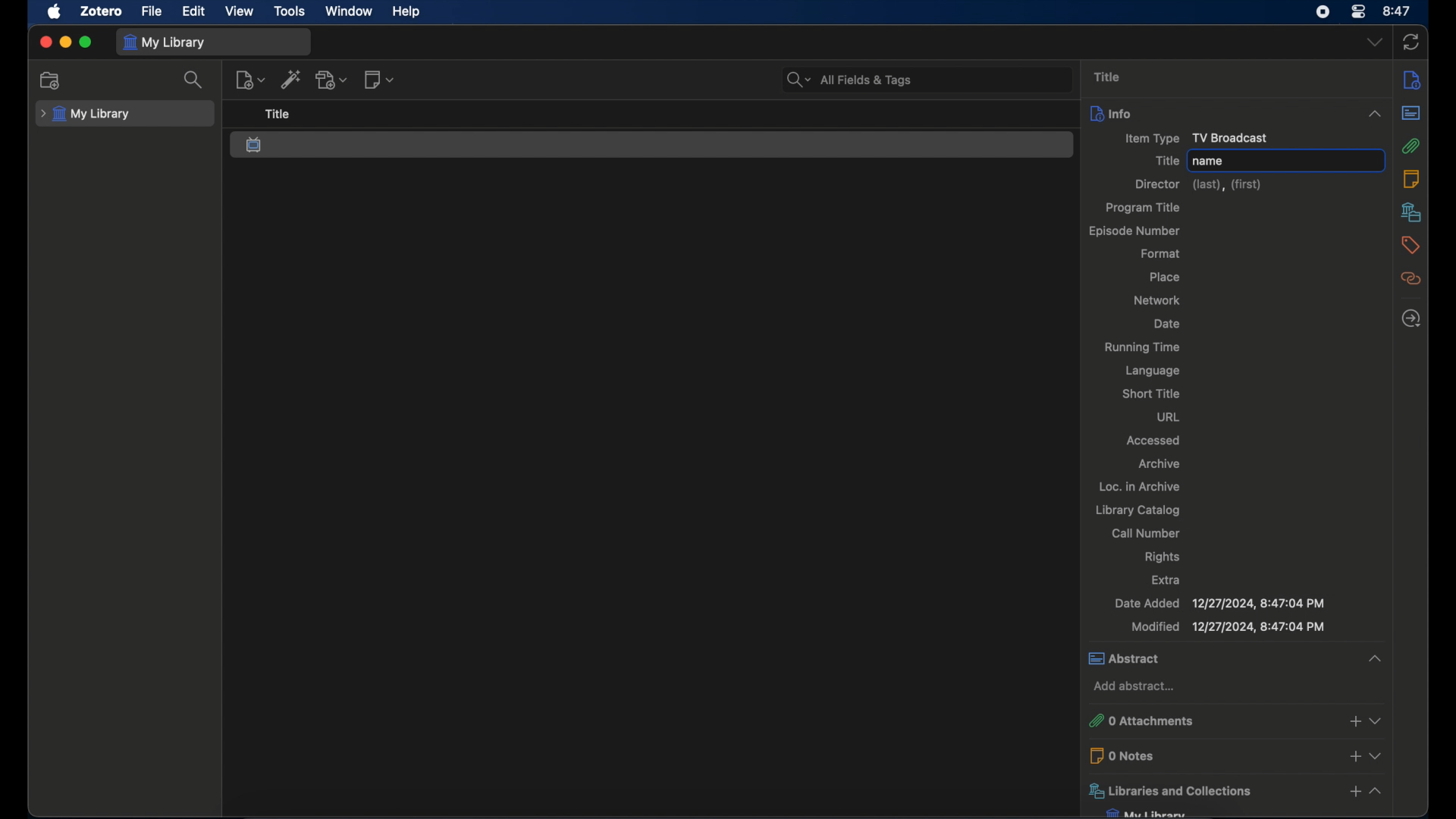 The height and width of the screenshot is (819, 1456). I want to click on network, so click(1156, 300).